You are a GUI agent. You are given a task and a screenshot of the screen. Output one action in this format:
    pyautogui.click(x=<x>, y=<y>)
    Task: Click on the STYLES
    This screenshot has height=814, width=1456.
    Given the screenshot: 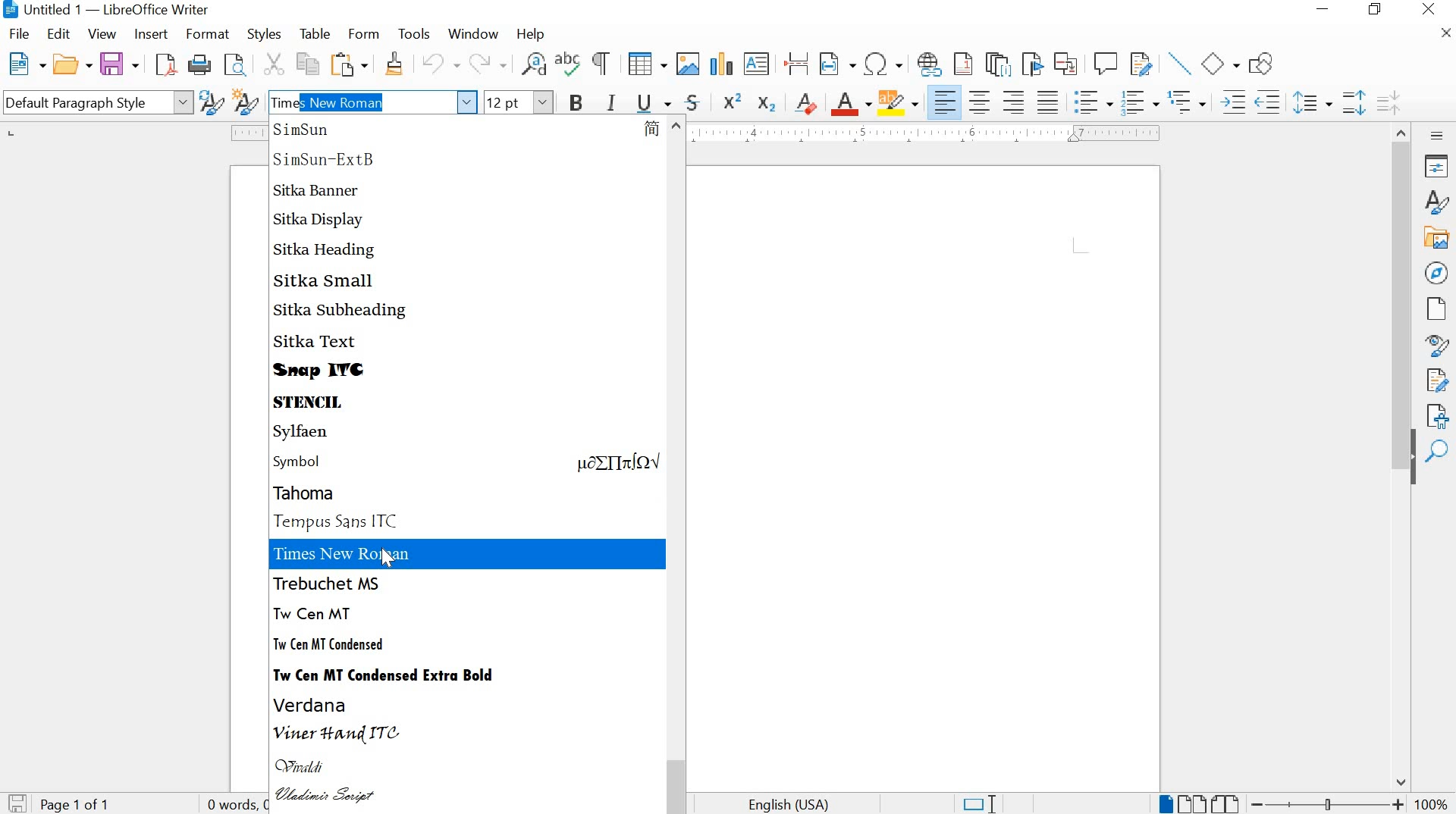 What is the action you would take?
    pyautogui.click(x=1437, y=202)
    